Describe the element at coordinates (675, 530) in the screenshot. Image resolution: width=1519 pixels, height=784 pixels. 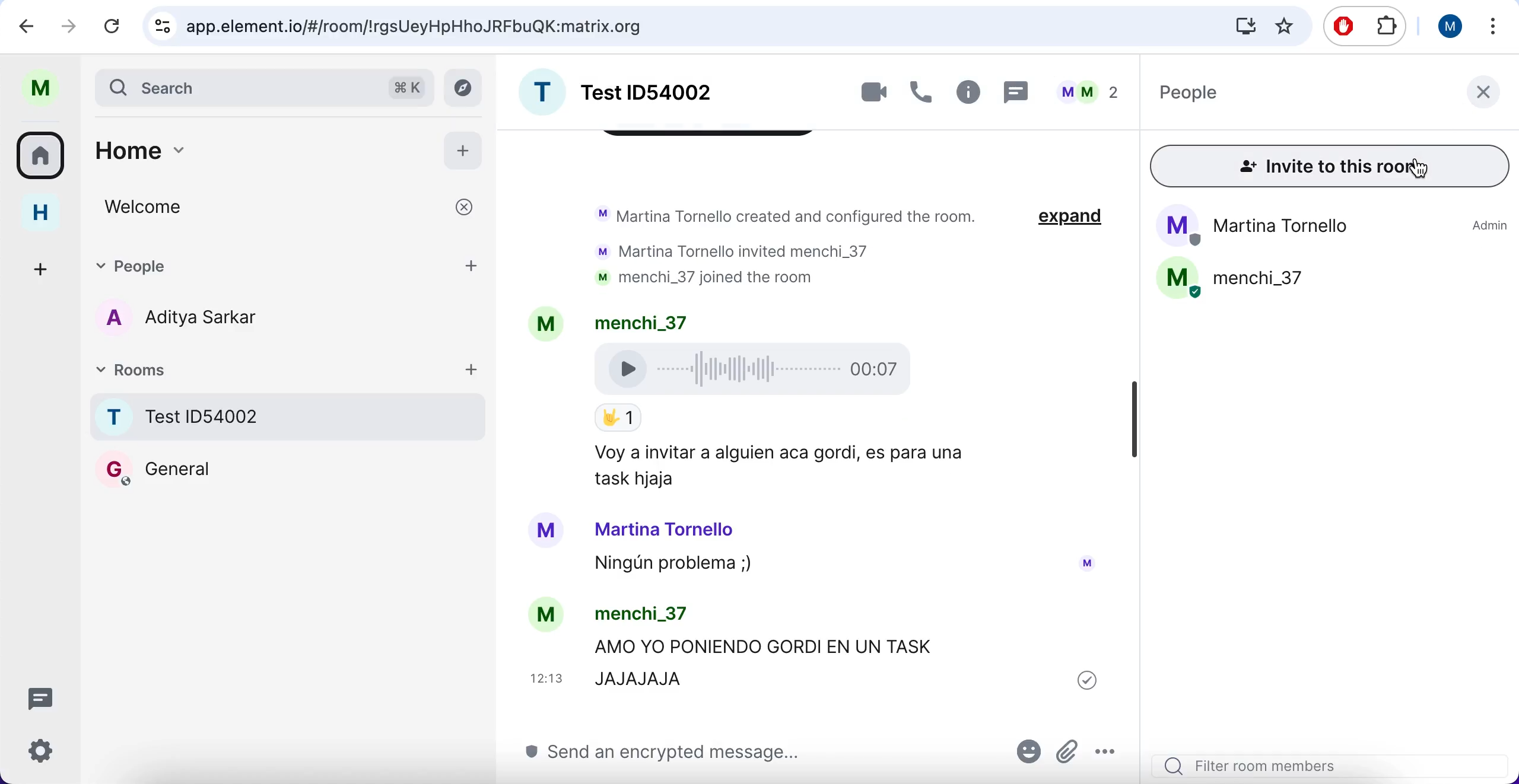
I see `Martina Tornello` at that location.